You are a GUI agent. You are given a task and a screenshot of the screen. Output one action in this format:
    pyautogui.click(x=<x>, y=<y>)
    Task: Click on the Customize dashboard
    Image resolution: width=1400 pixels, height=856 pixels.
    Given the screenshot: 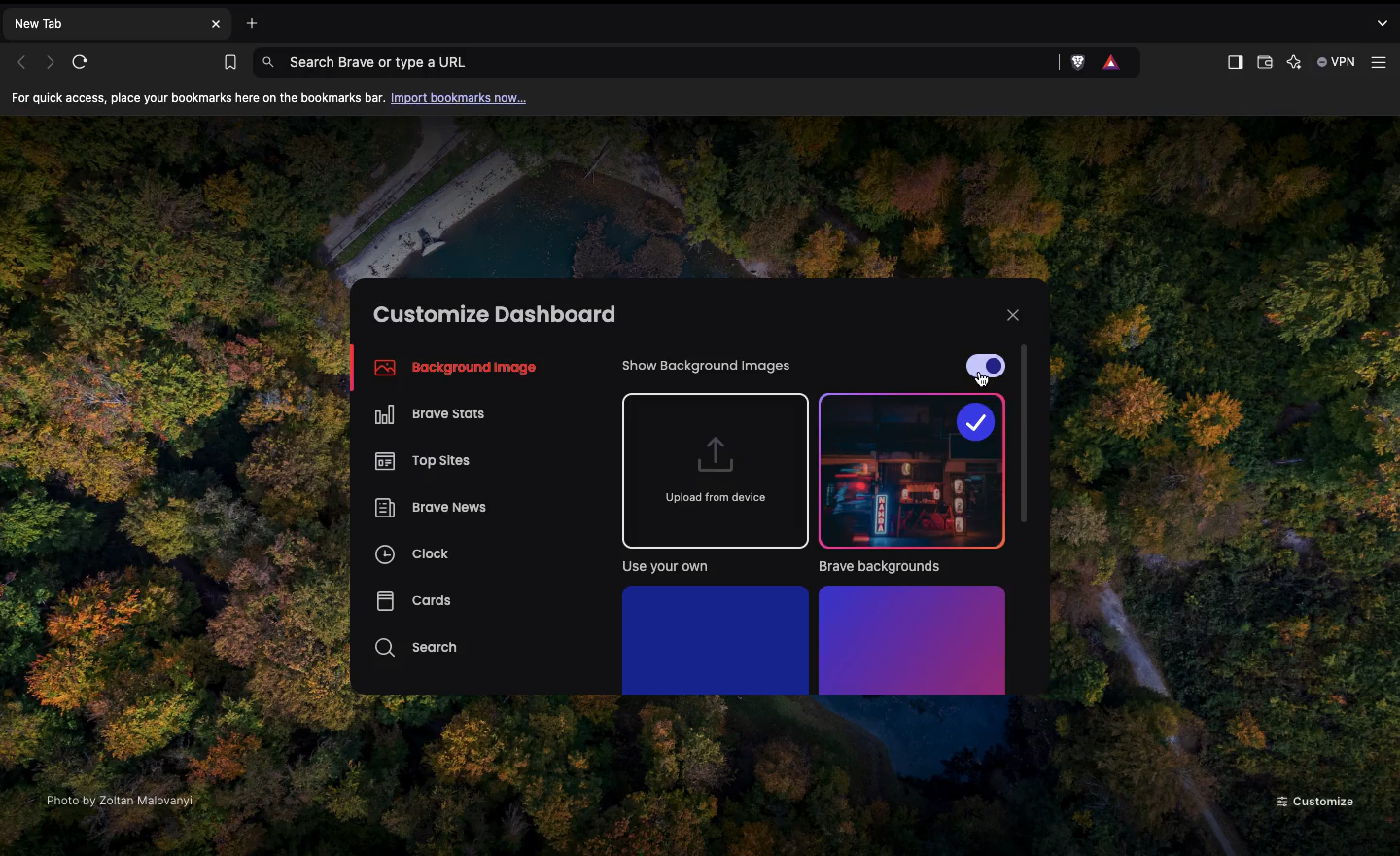 What is the action you would take?
    pyautogui.click(x=495, y=314)
    